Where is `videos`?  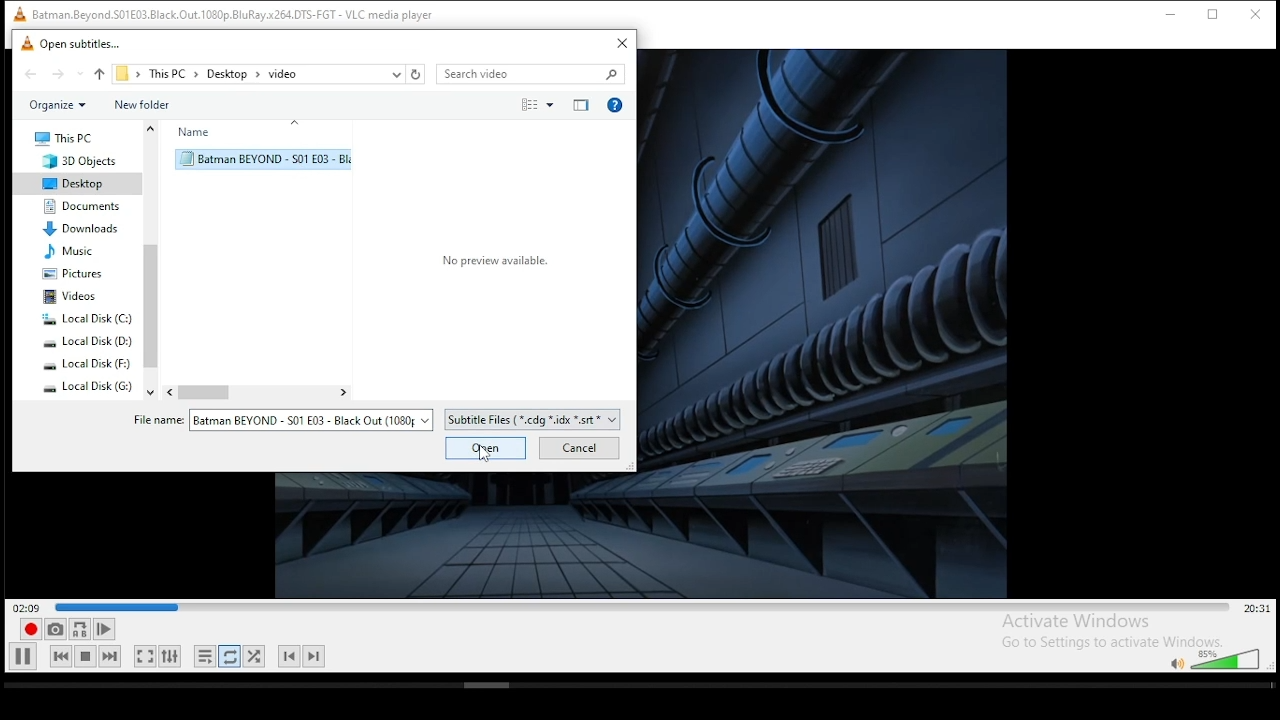 videos is located at coordinates (70, 296).